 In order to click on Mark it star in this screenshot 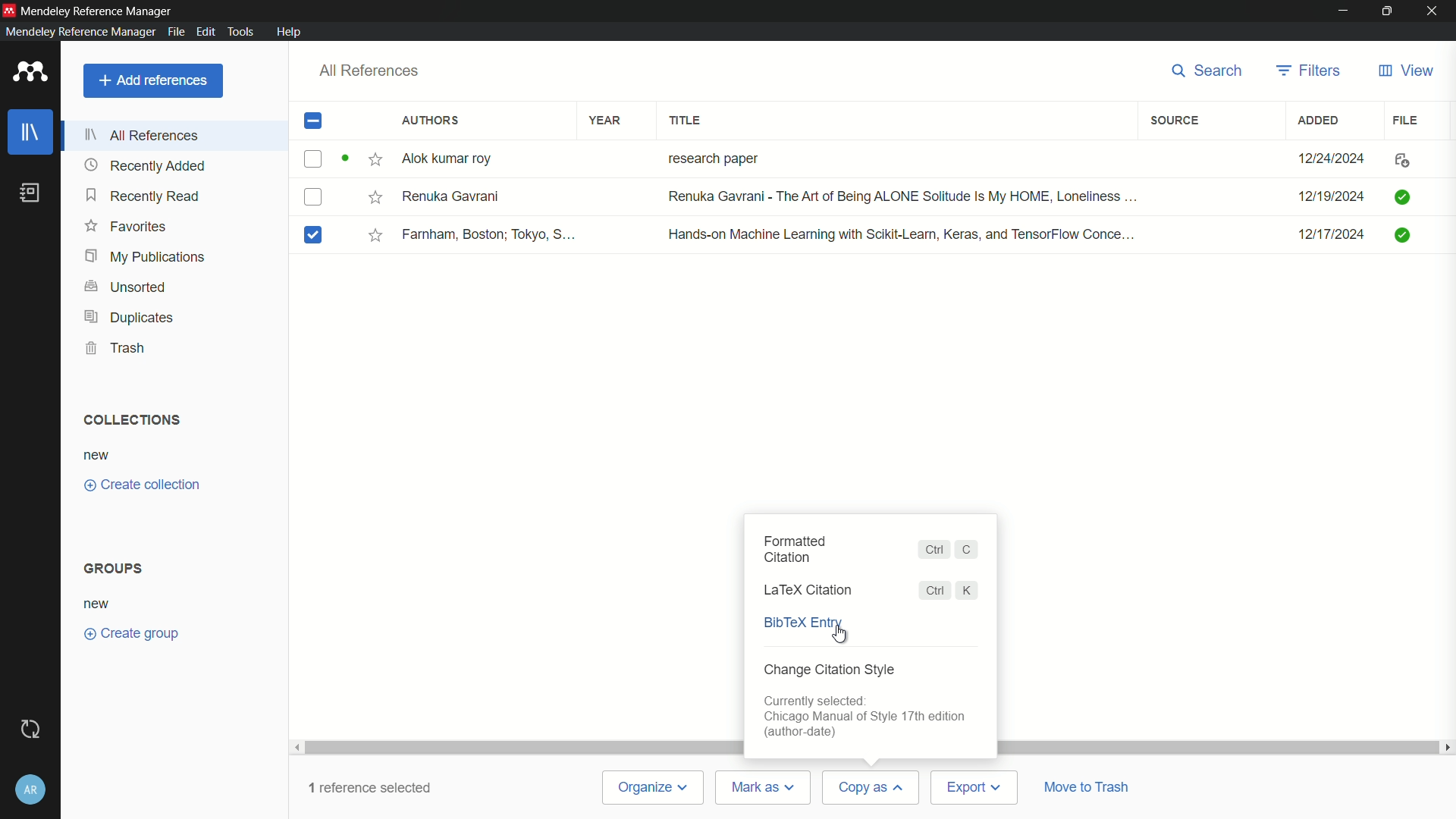, I will do `click(377, 158)`.